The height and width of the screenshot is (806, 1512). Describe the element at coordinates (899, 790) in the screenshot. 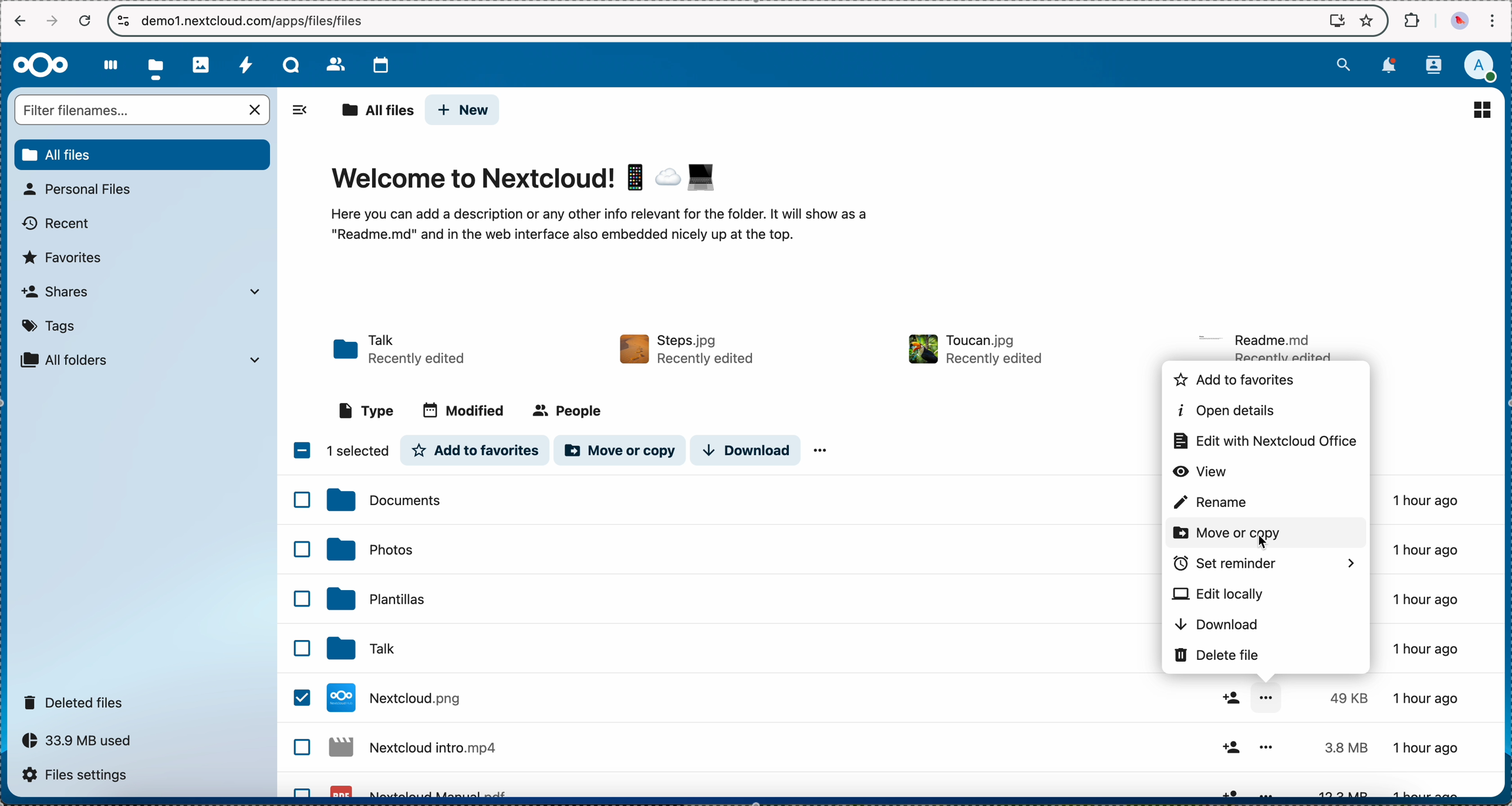

I see `file` at that location.